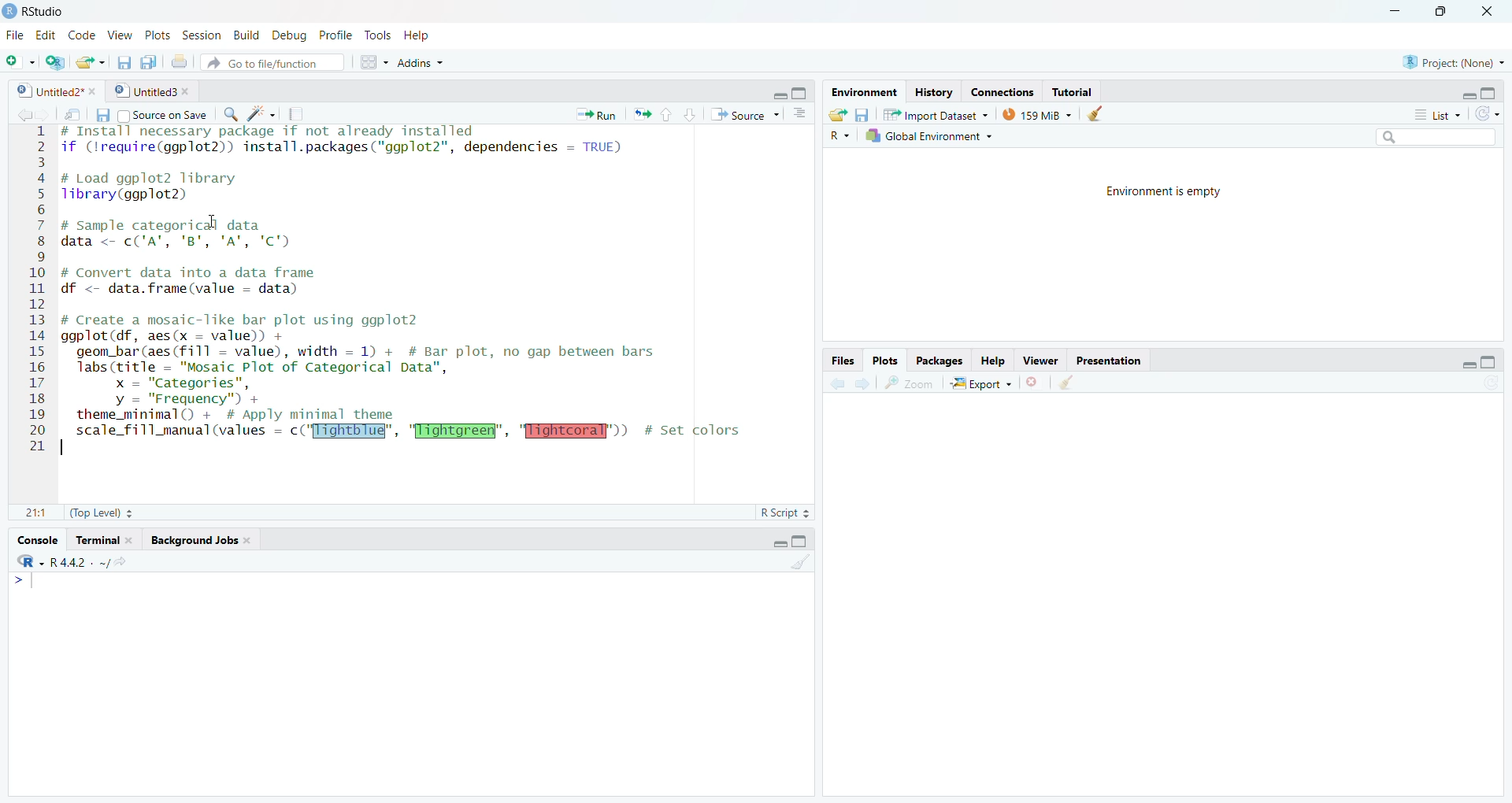 This screenshot has width=1512, height=803. What do you see at coordinates (154, 91) in the screenshot?
I see `Untitled3` at bounding box center [154, 91].